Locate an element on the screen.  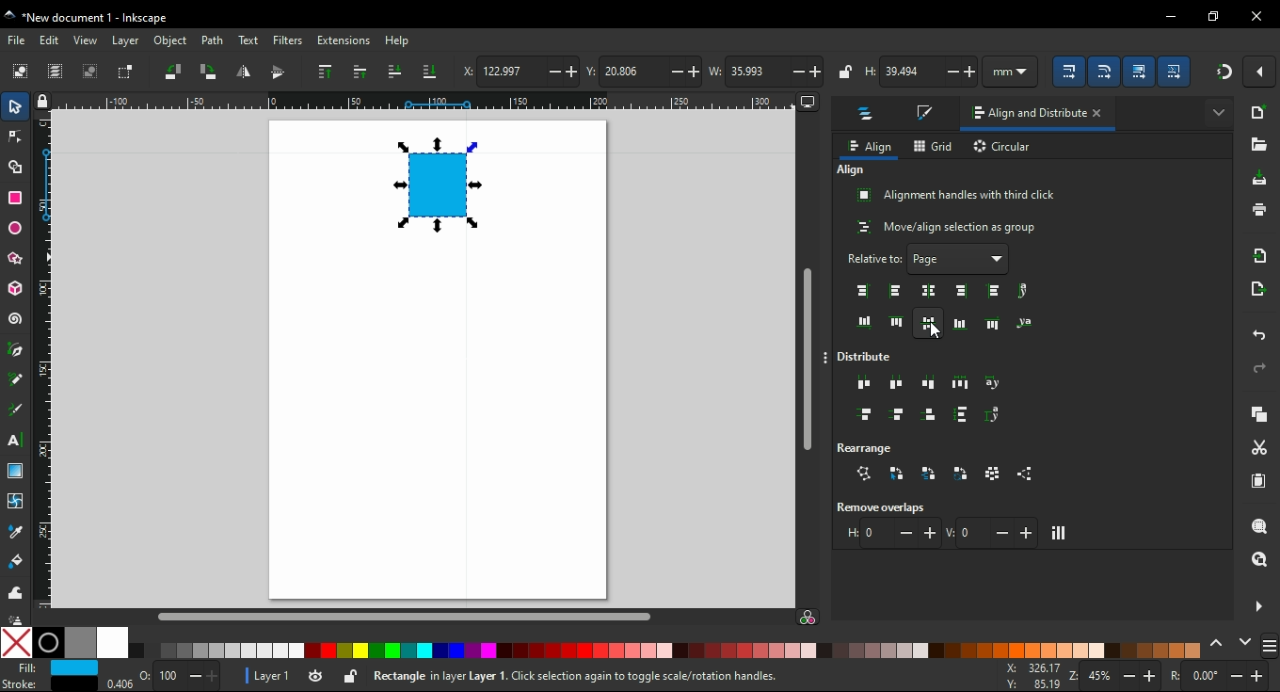
none is located at coordinates (17, 642).